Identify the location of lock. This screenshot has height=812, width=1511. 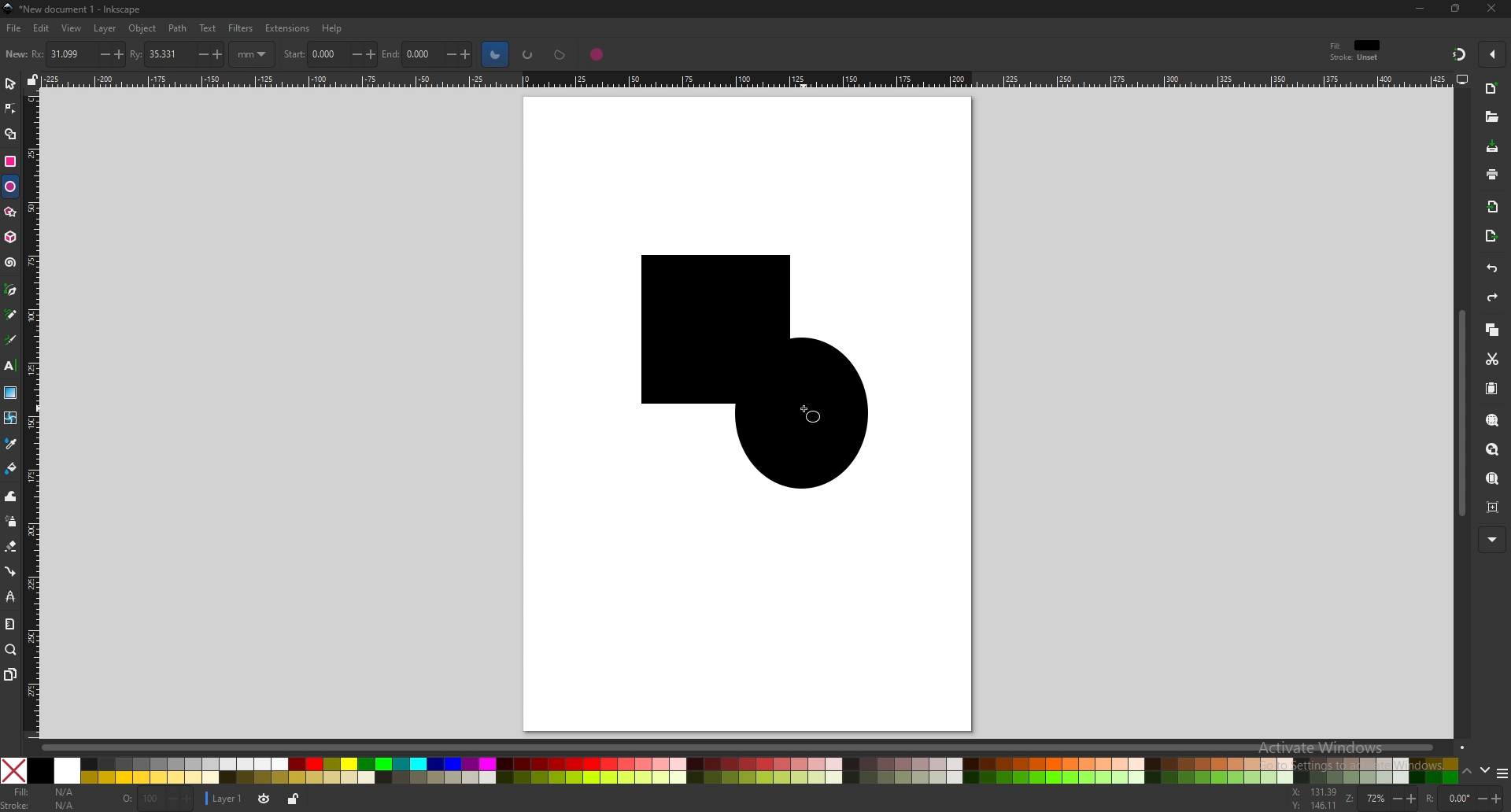
(294, 800).